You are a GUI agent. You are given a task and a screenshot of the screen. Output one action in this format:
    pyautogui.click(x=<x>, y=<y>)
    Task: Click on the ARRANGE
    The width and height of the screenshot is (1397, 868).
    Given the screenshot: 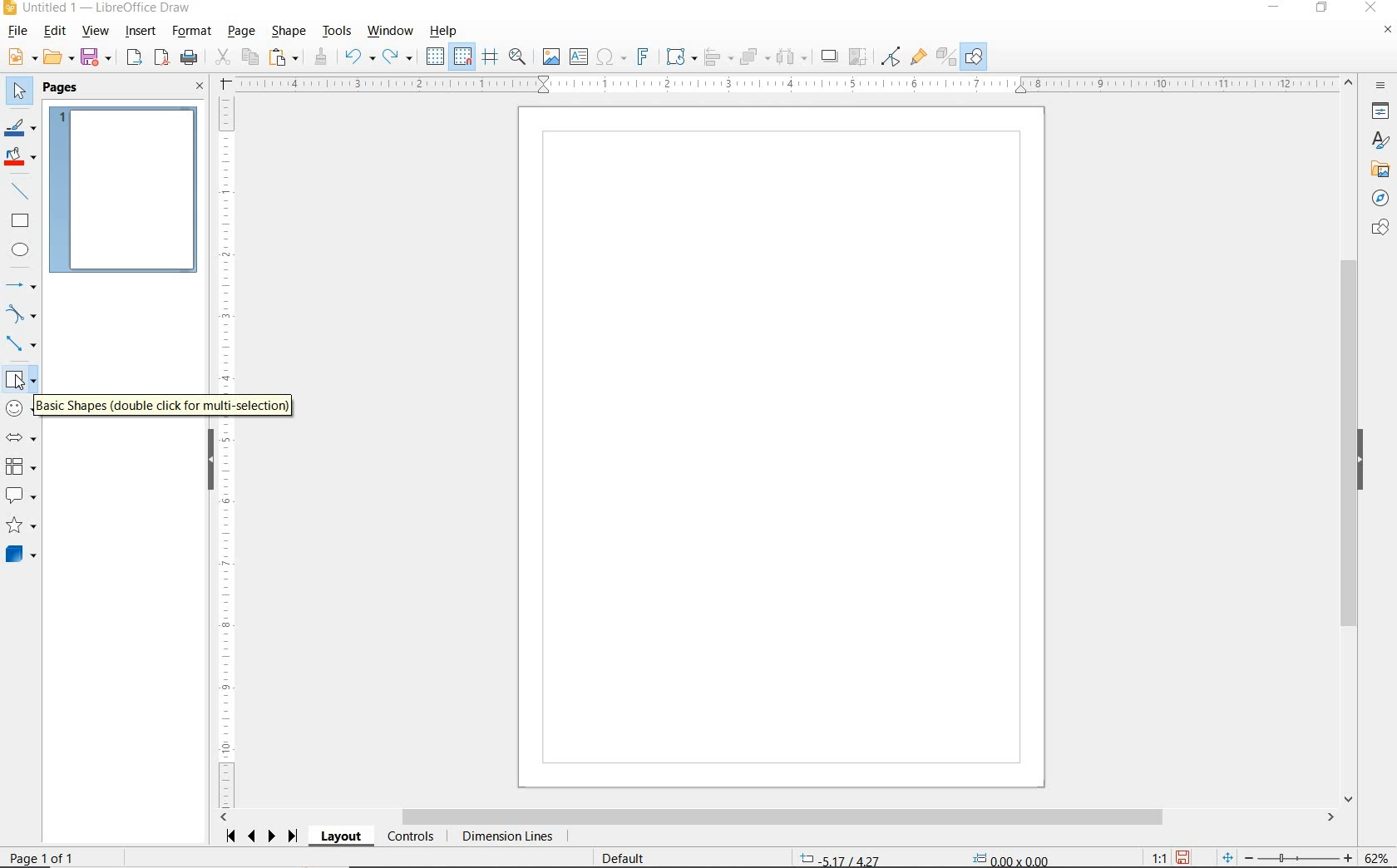 What is the action you would take?
    pyautogui.click(x=755, y=56)
    